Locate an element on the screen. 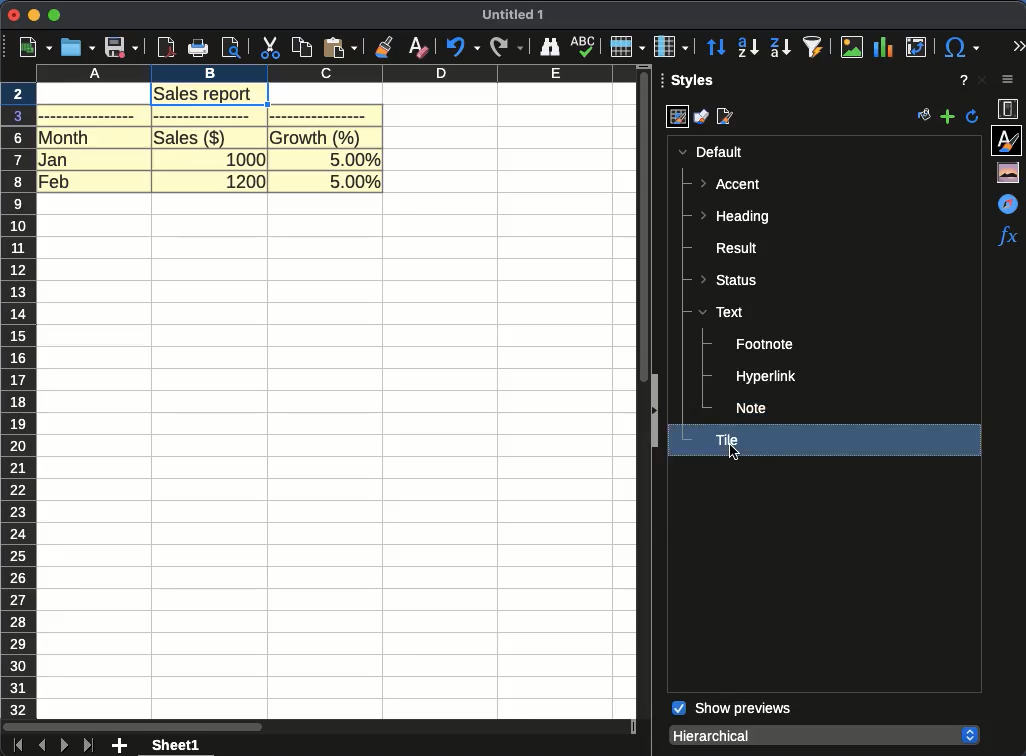 The height and width of the screenshot is (756, 1026). add new style is located at coordinates (947, 117).